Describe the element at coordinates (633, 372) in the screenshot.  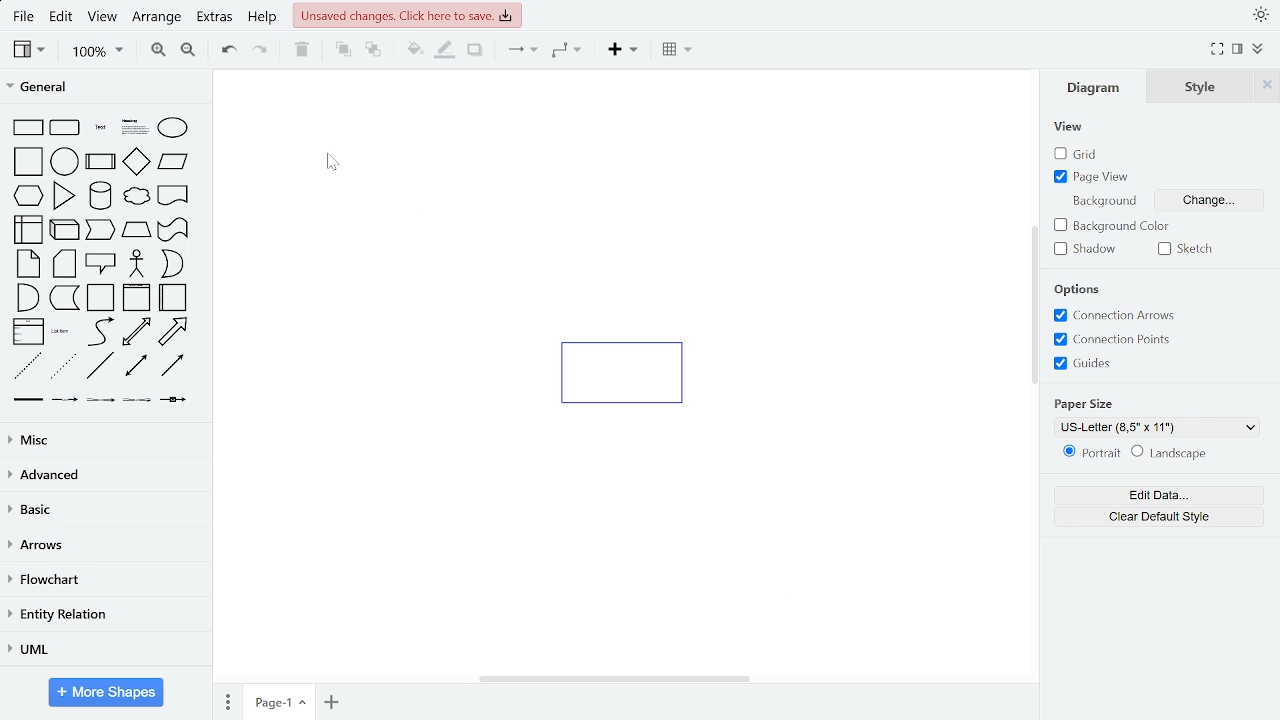
I see `Blue rectangle added` at that location.